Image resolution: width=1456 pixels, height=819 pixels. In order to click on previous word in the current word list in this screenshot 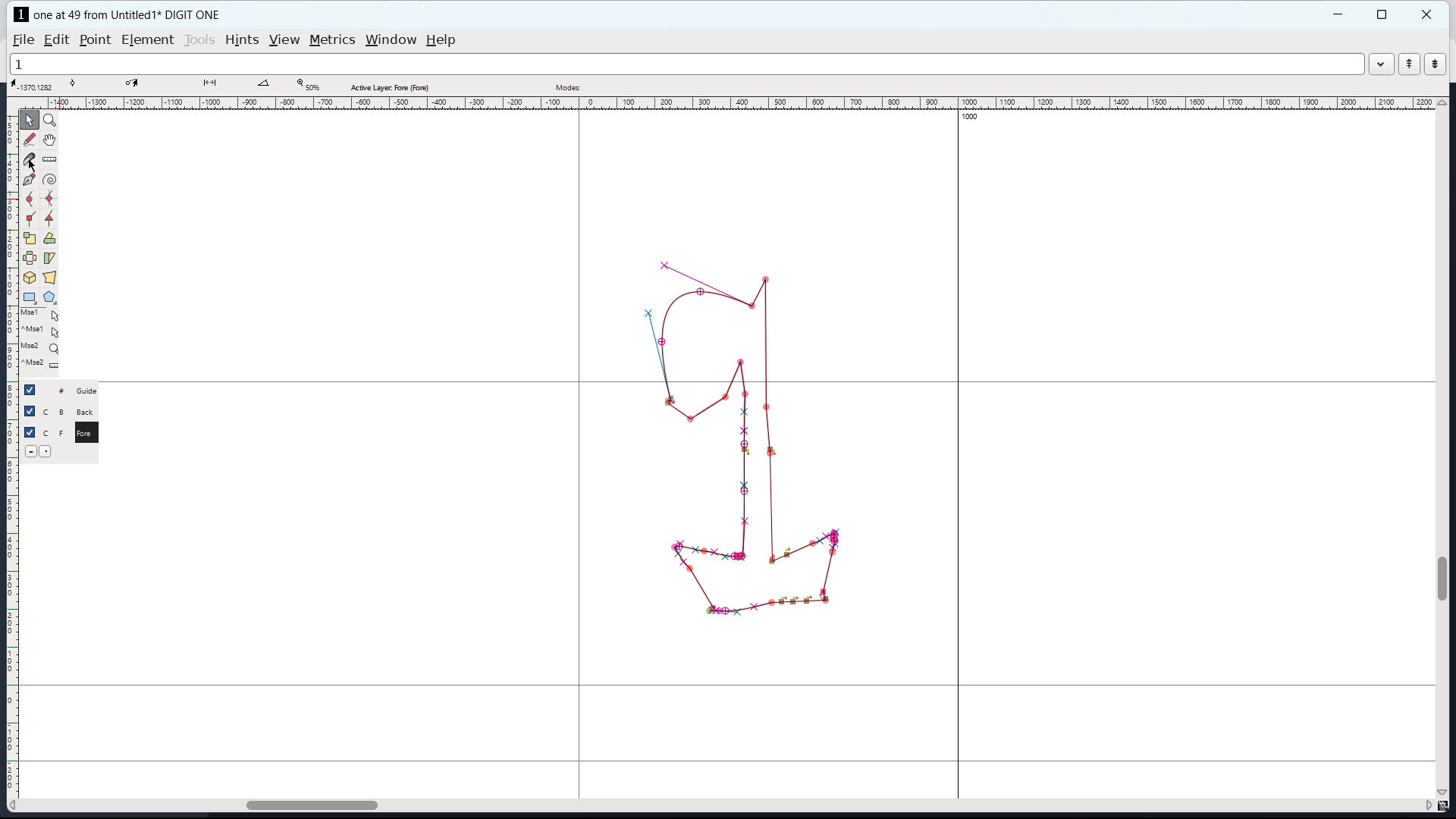, I will do `click(1409, 64)`.